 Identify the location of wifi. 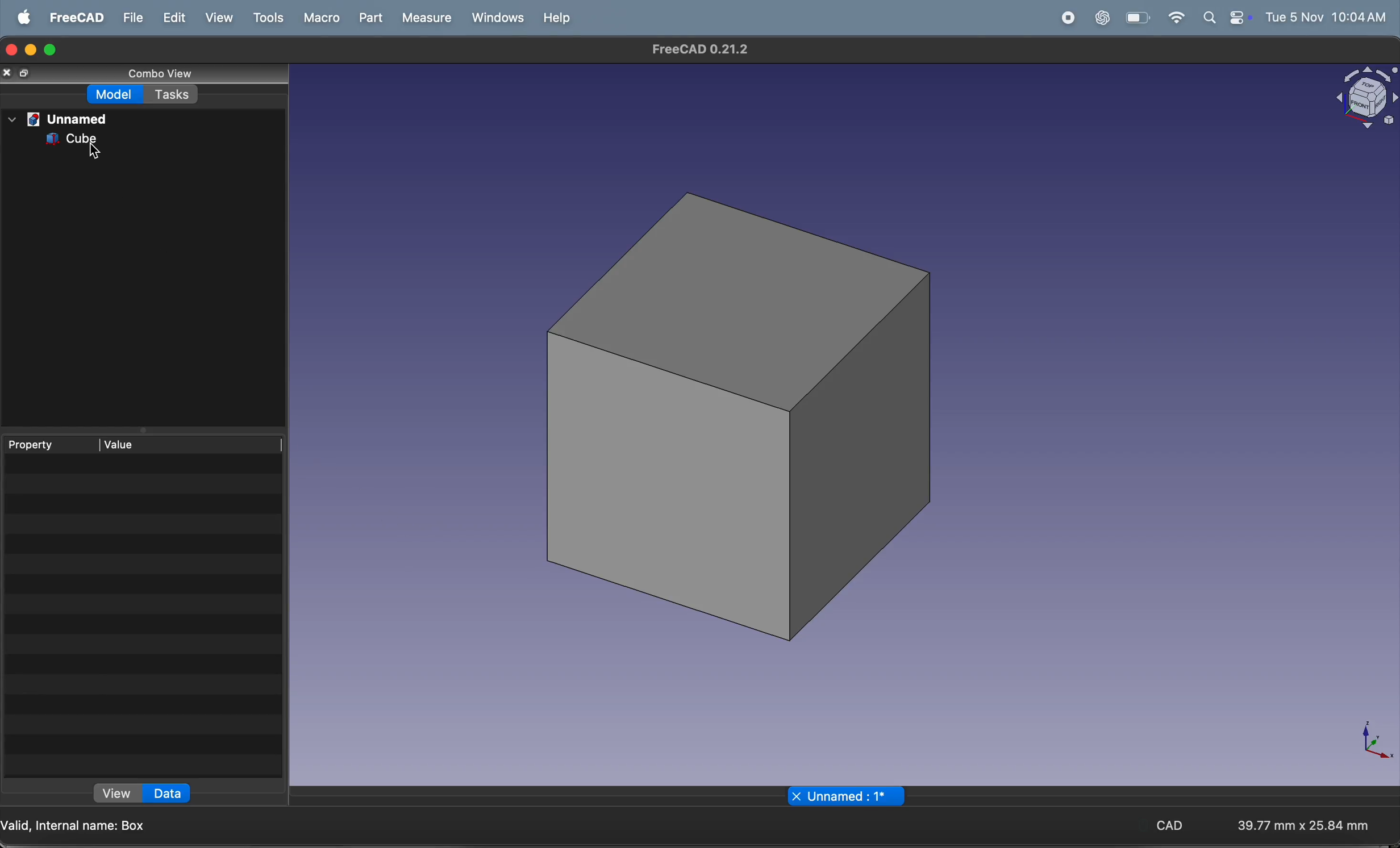
(1137, 16).